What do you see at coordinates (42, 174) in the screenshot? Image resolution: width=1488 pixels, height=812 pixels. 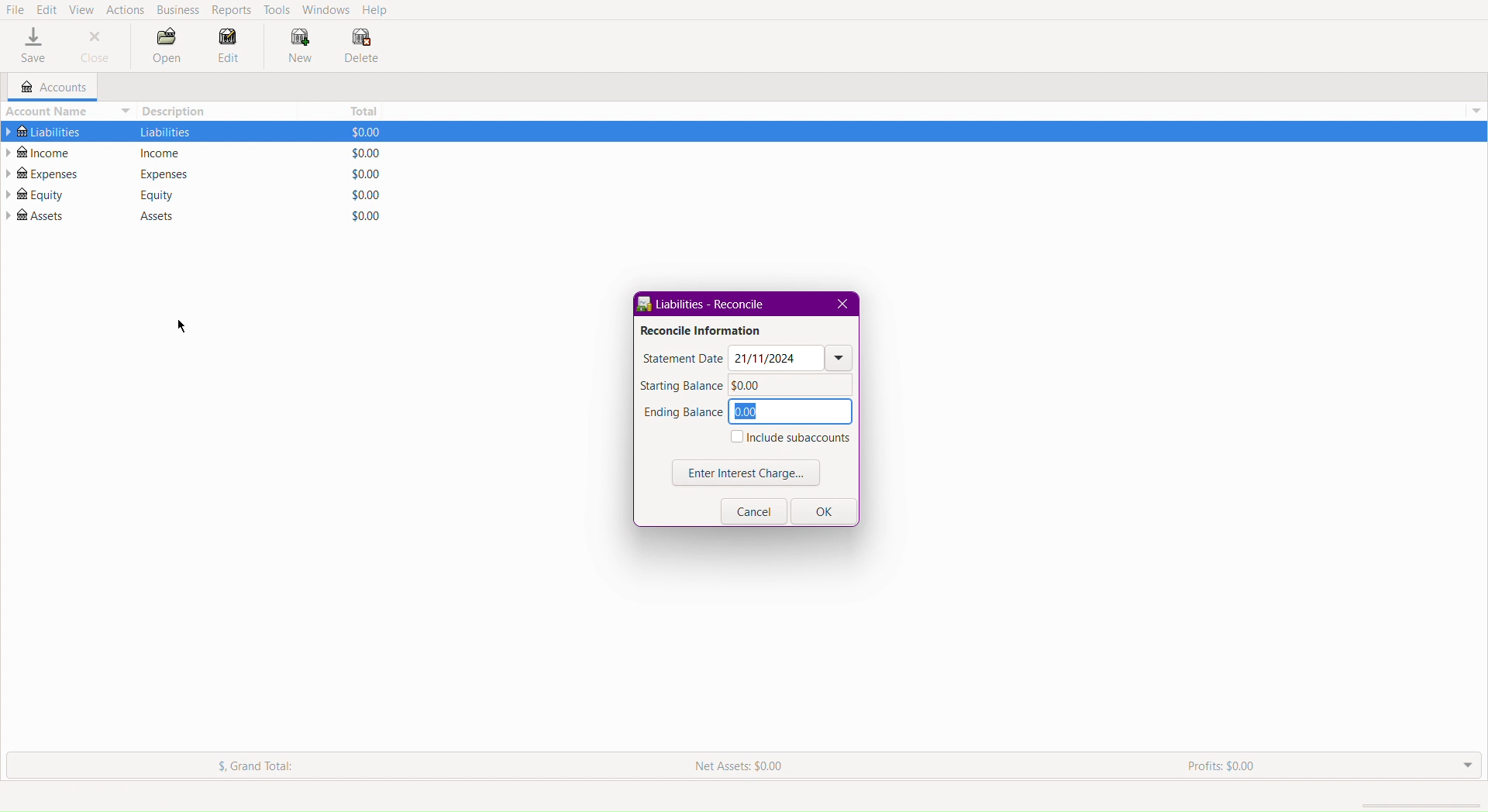 I see `Expenses` at bounding box center [42, 174].